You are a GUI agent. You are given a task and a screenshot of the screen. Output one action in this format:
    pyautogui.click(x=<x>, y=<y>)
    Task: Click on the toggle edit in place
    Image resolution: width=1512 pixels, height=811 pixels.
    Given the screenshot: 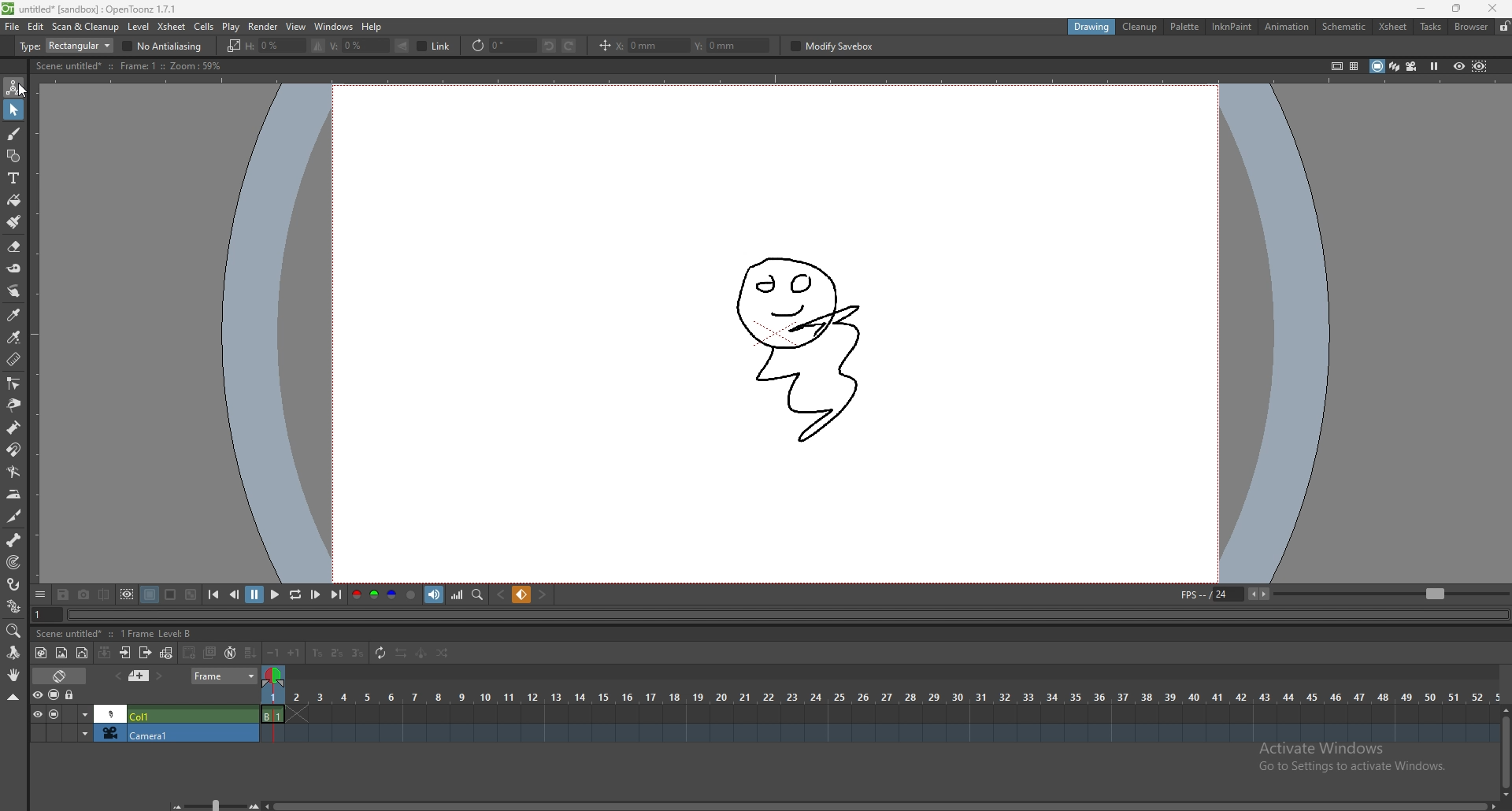 What is the action you would take?
    pyautogui.click(x=165, y=653)
    